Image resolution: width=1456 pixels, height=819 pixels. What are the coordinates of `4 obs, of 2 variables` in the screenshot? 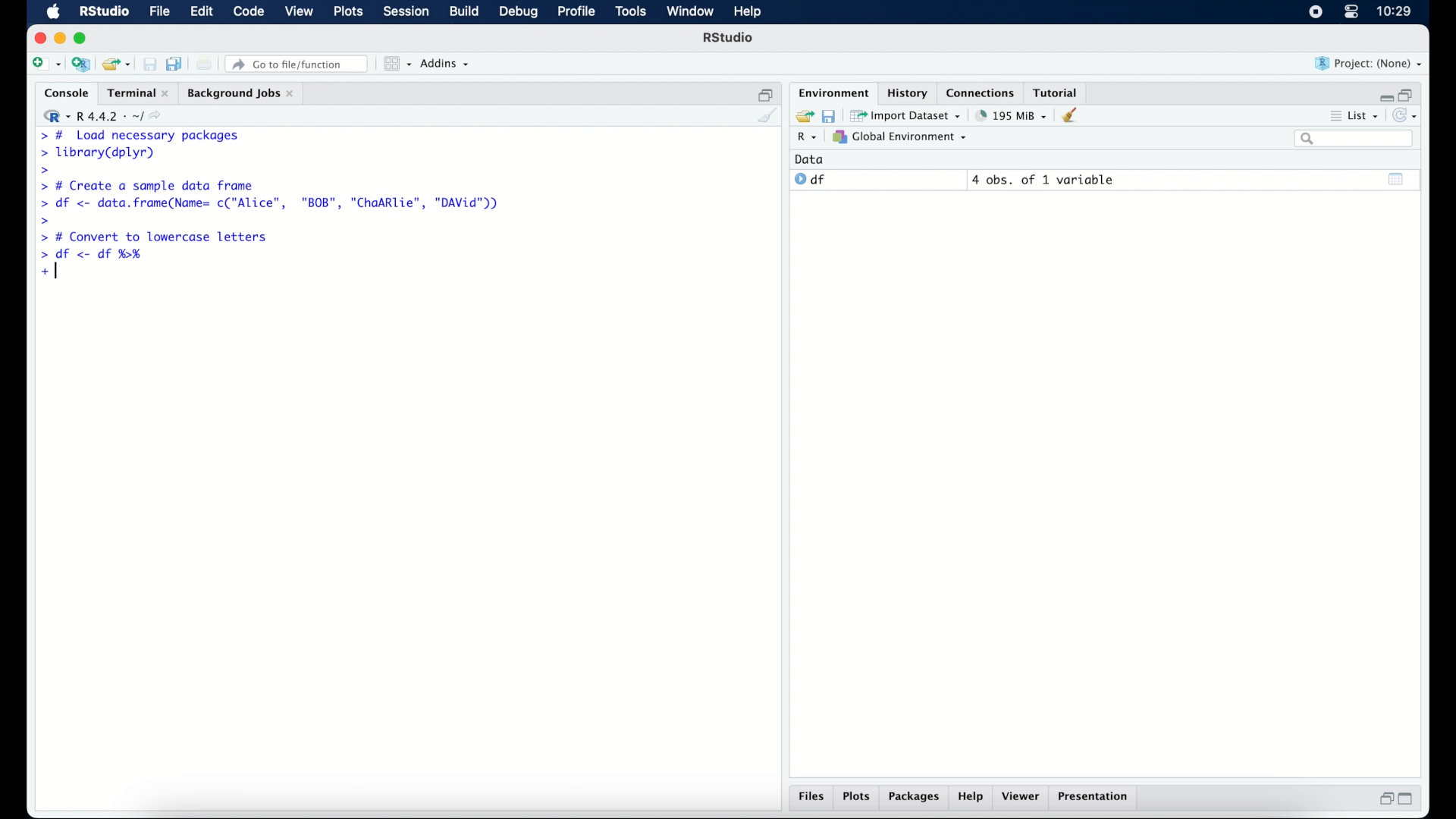 It's located at (1046, 180).